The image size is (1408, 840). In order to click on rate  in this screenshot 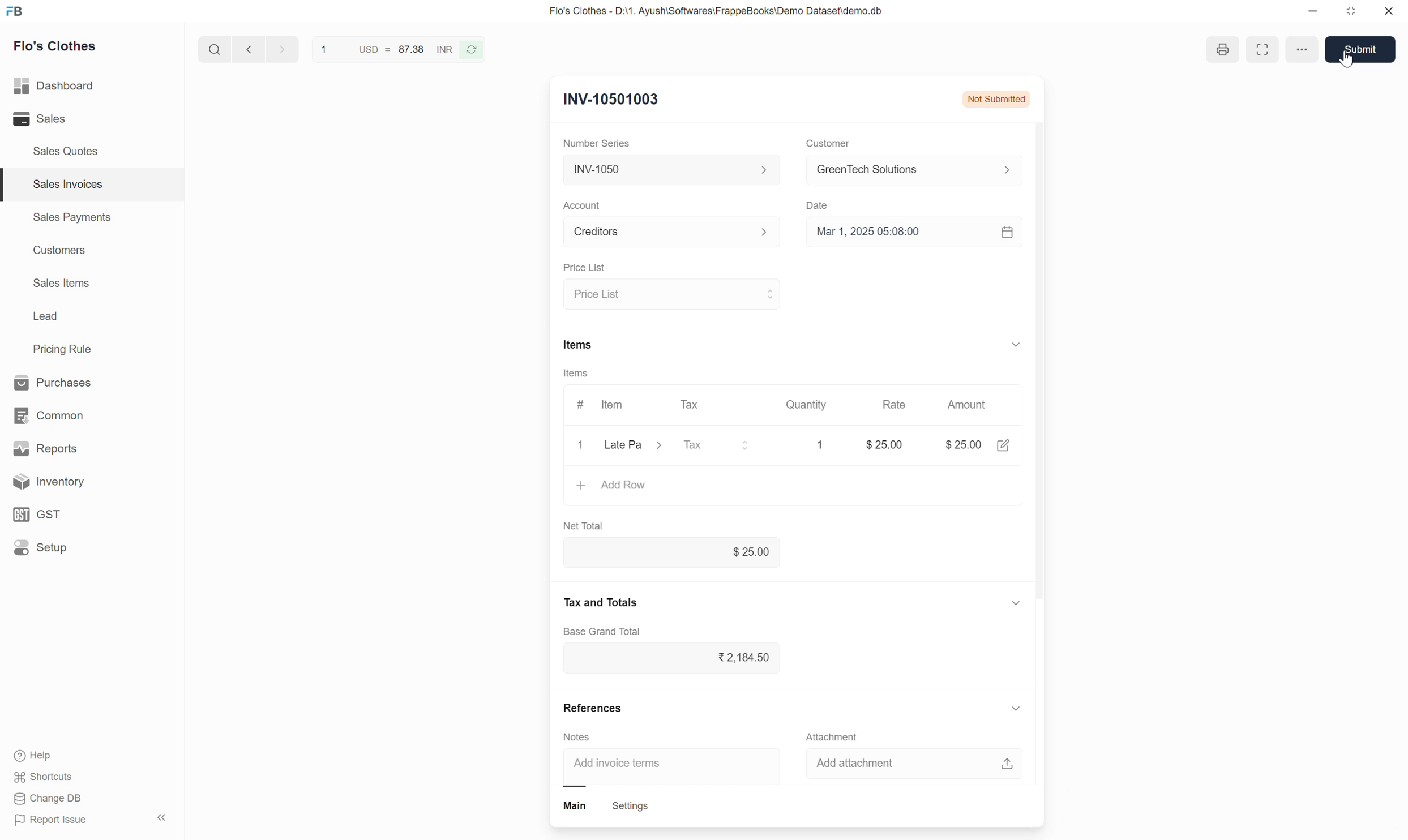, I will do `click(883, 444)`.